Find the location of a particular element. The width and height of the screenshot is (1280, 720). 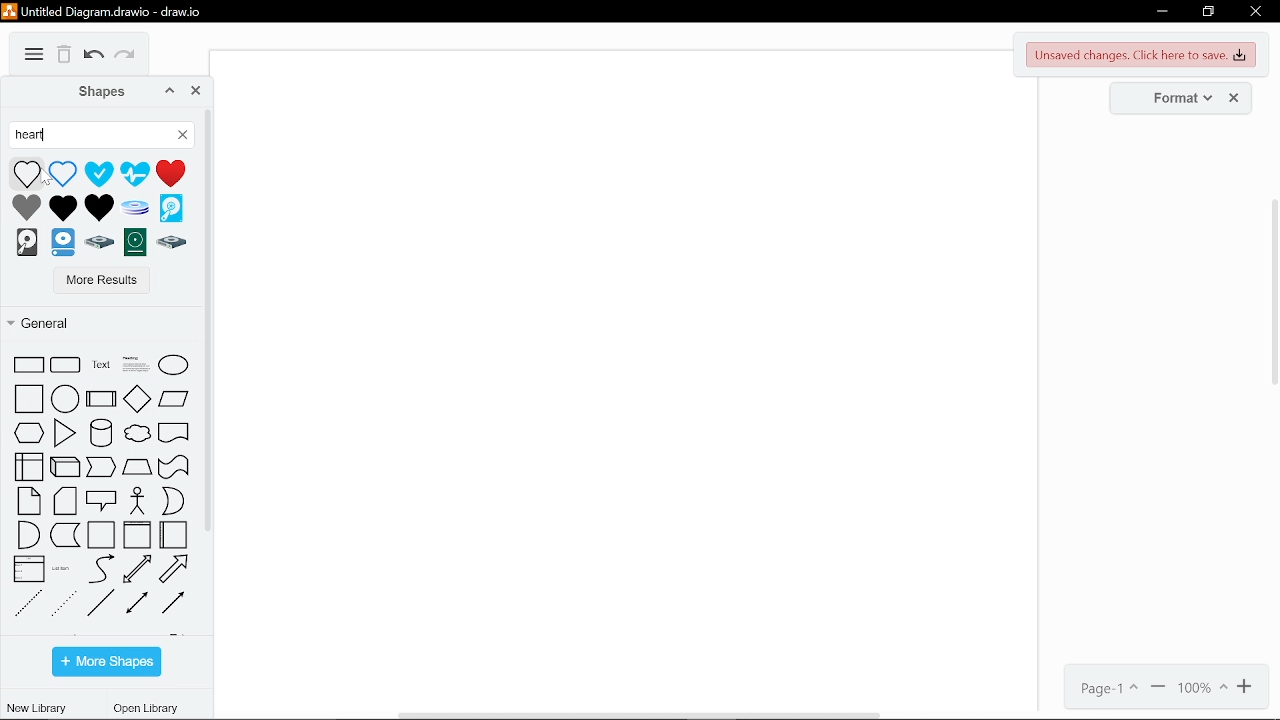

zoom in is located at coordinates (1246, 687).